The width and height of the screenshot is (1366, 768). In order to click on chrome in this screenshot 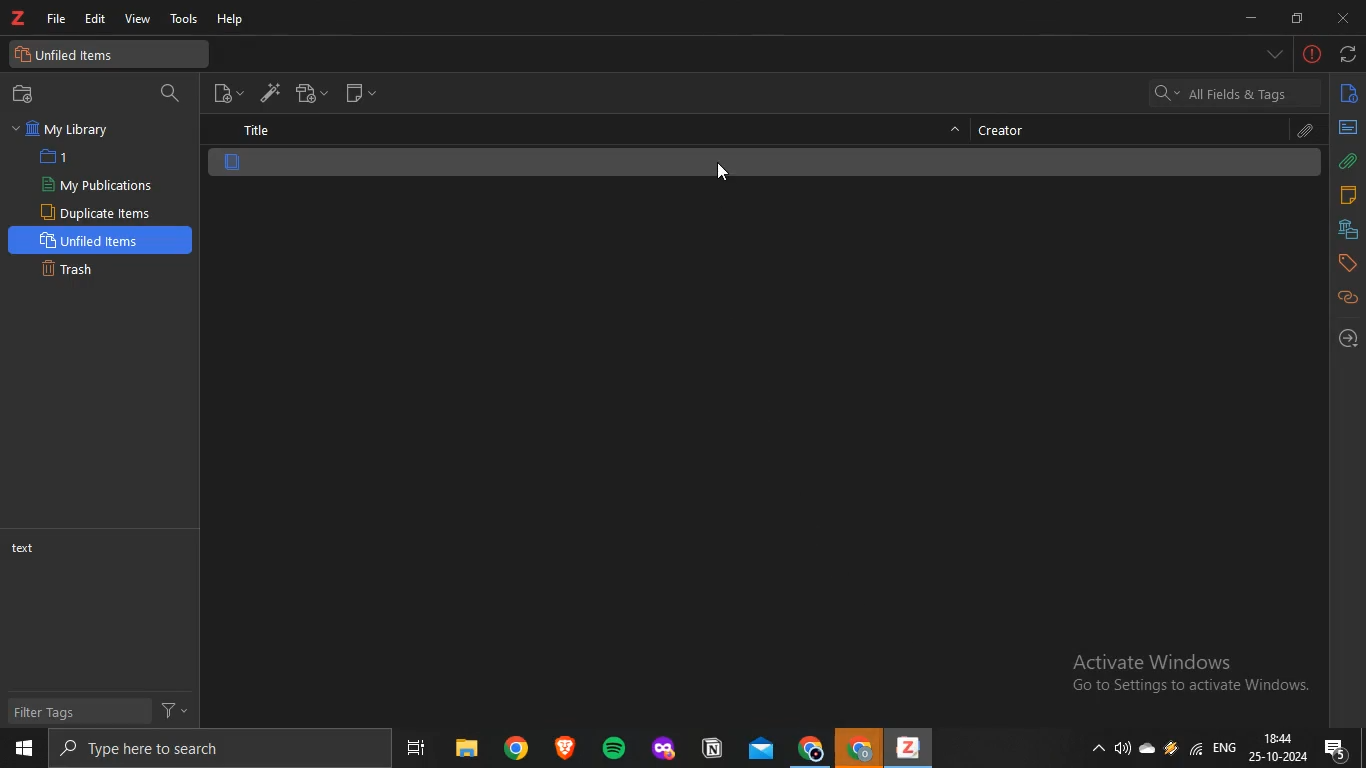, I will do `click(807, 747)`.